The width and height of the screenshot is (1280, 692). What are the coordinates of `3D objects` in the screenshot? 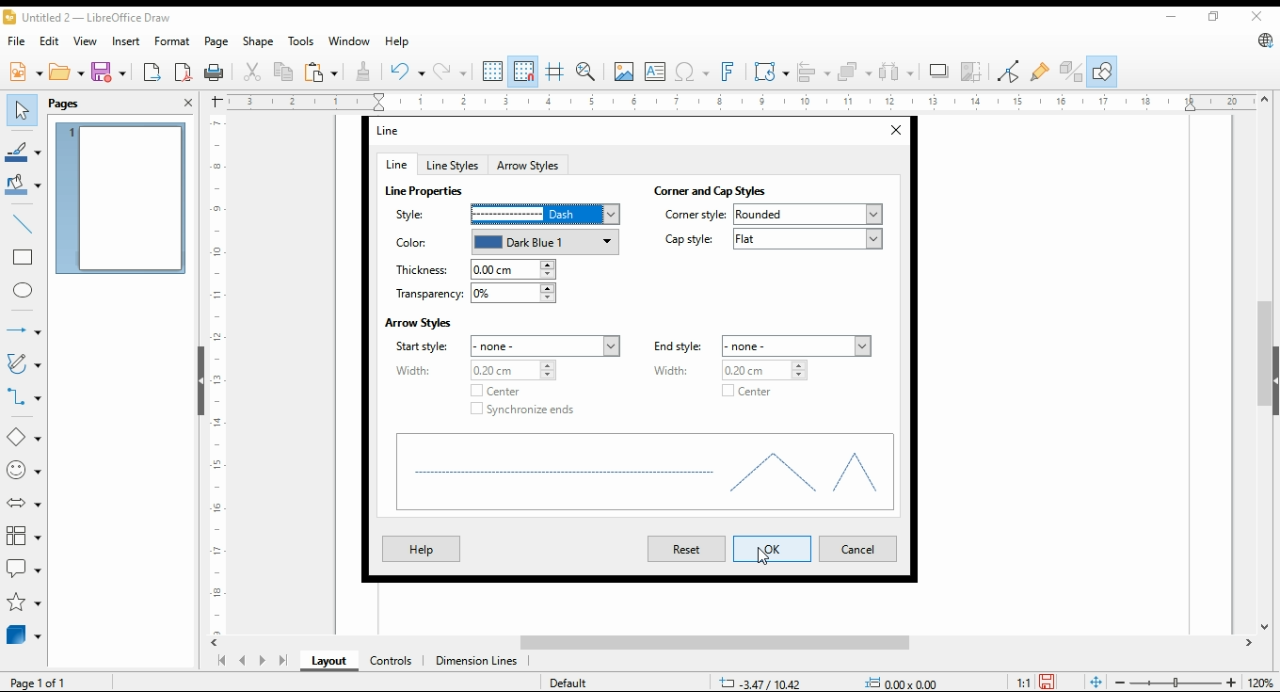 It's located at (25, 634).